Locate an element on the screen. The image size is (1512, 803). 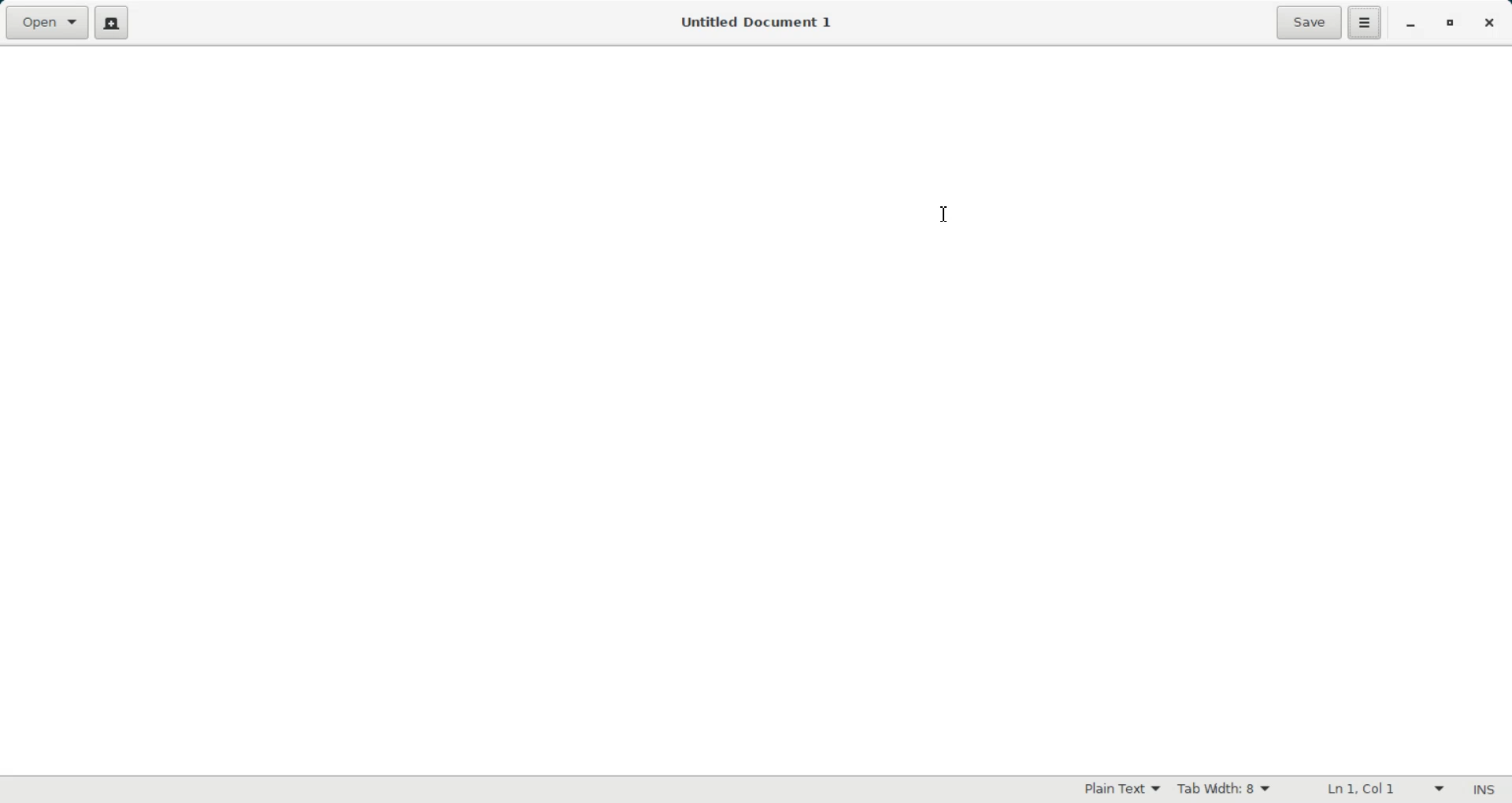
Create a new file is located at coordinates (111, 23).